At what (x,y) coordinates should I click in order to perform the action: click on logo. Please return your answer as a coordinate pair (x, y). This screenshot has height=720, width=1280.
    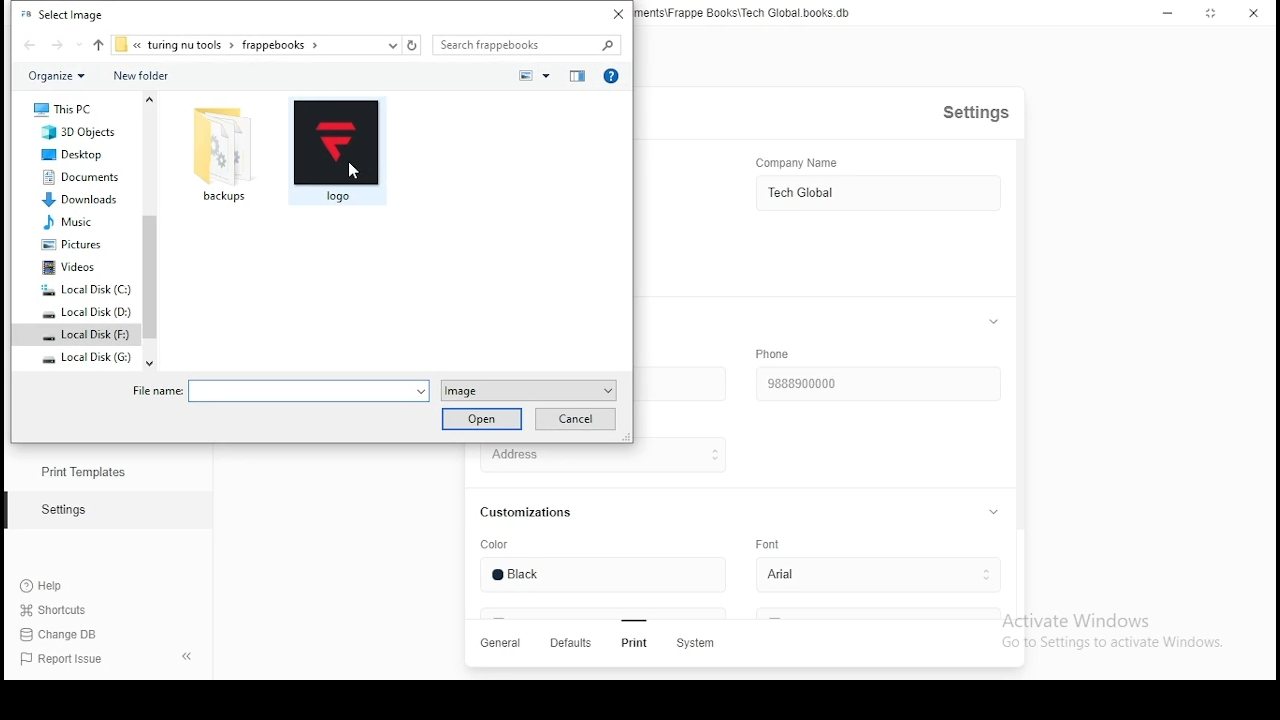
    Looking at the image, I should click on (346, 152).